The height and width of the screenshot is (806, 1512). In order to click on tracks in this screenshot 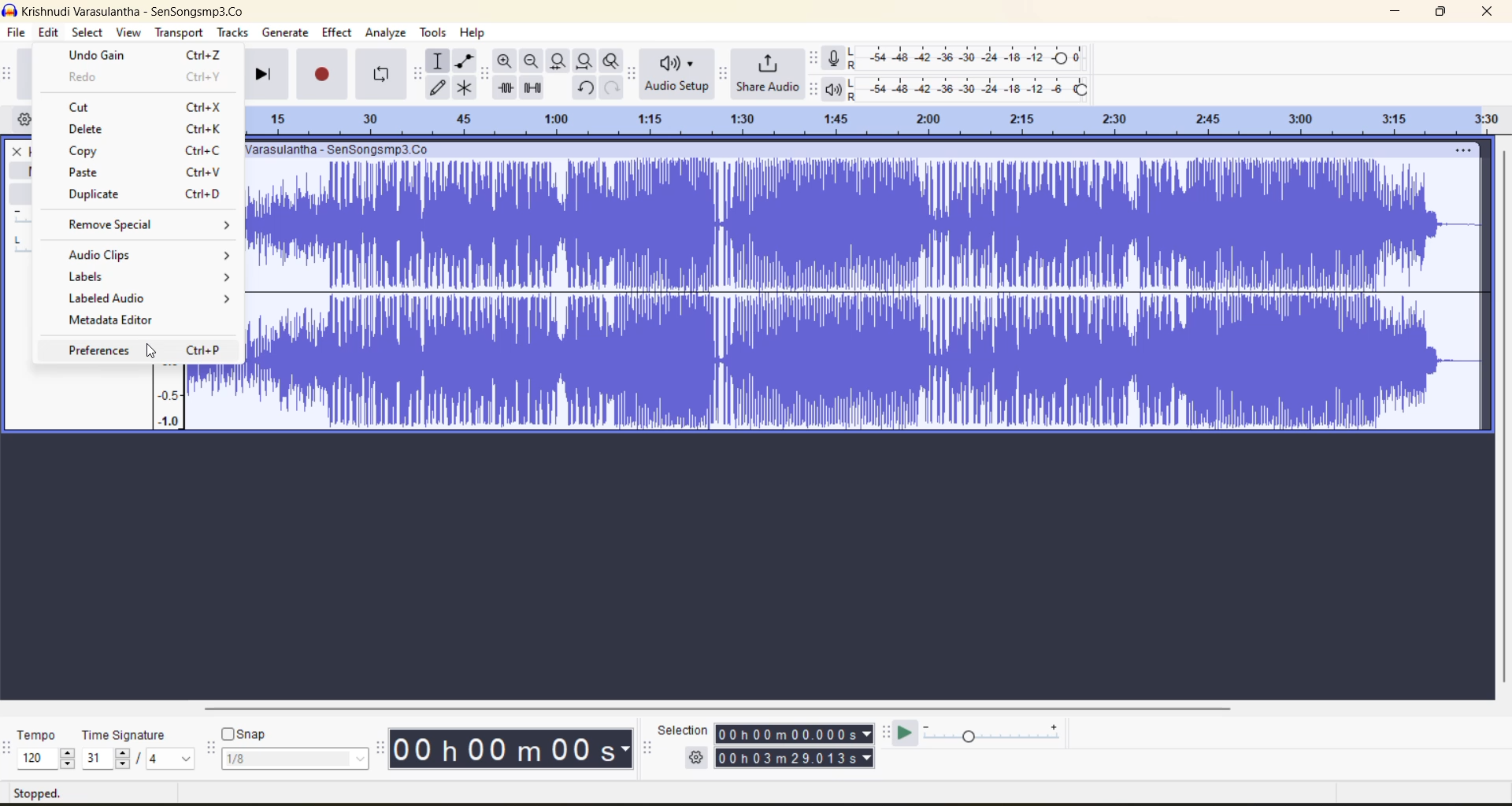, I will do `click(236, 33)`.